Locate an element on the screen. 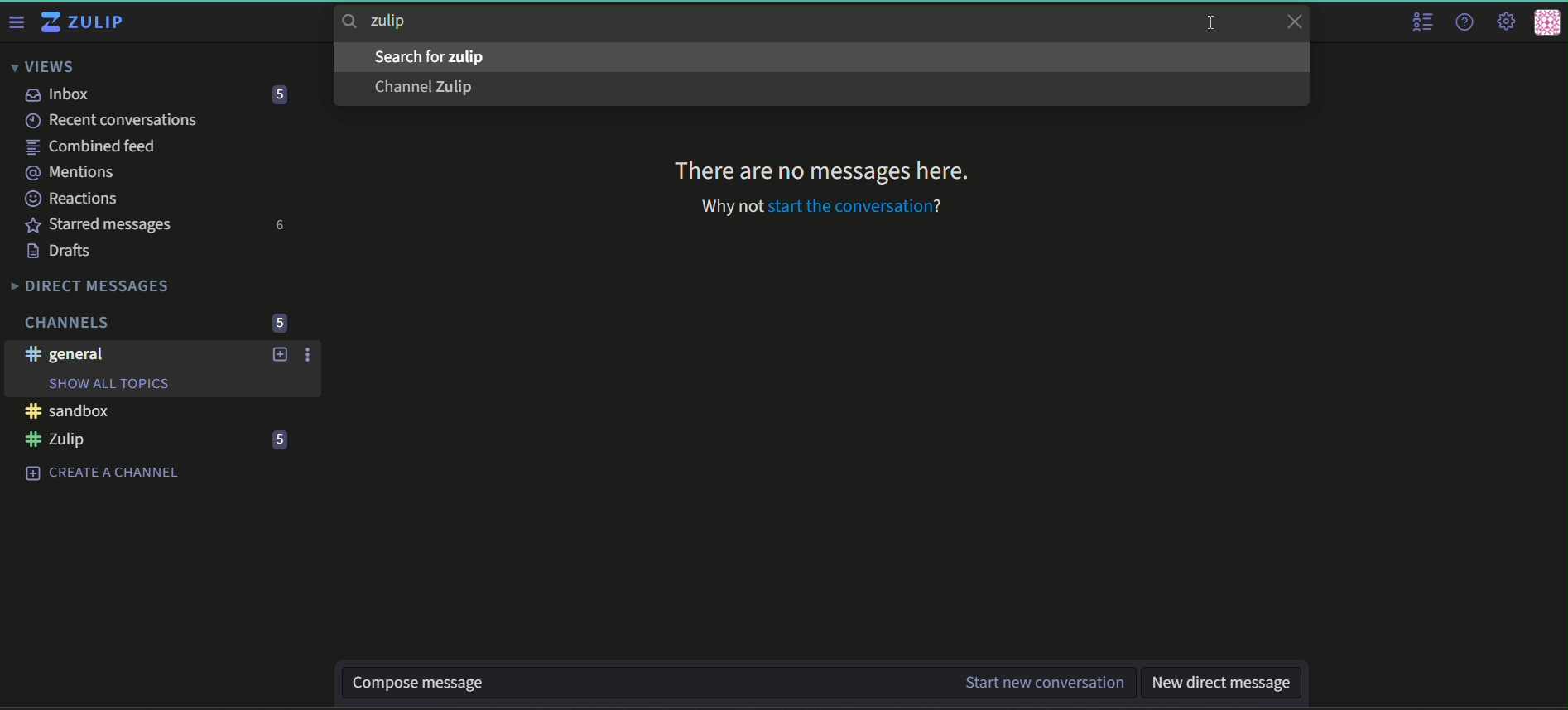  number is located at coordinates (281, 226).